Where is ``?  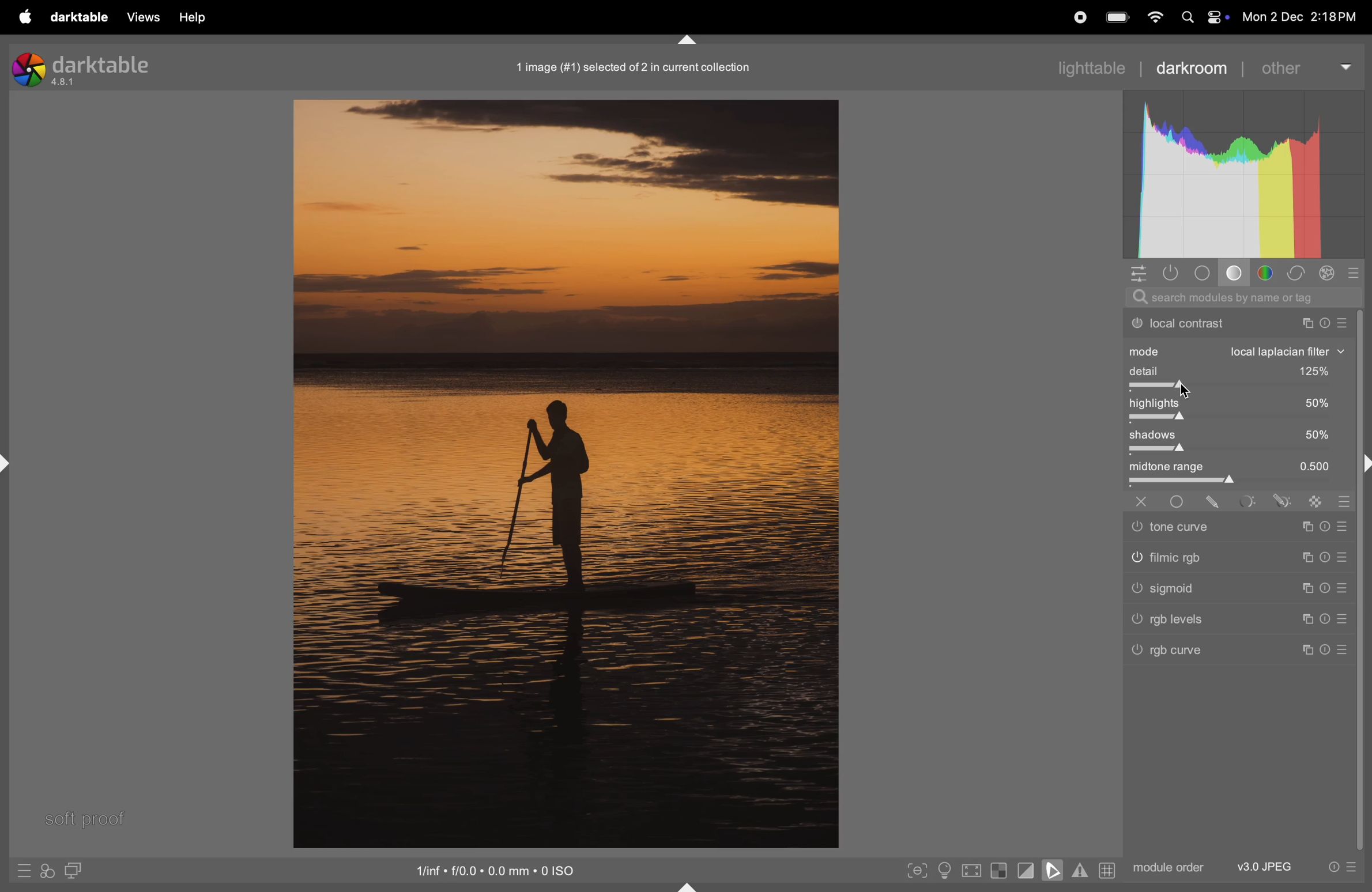
 is located at coordinates (1181, 501).